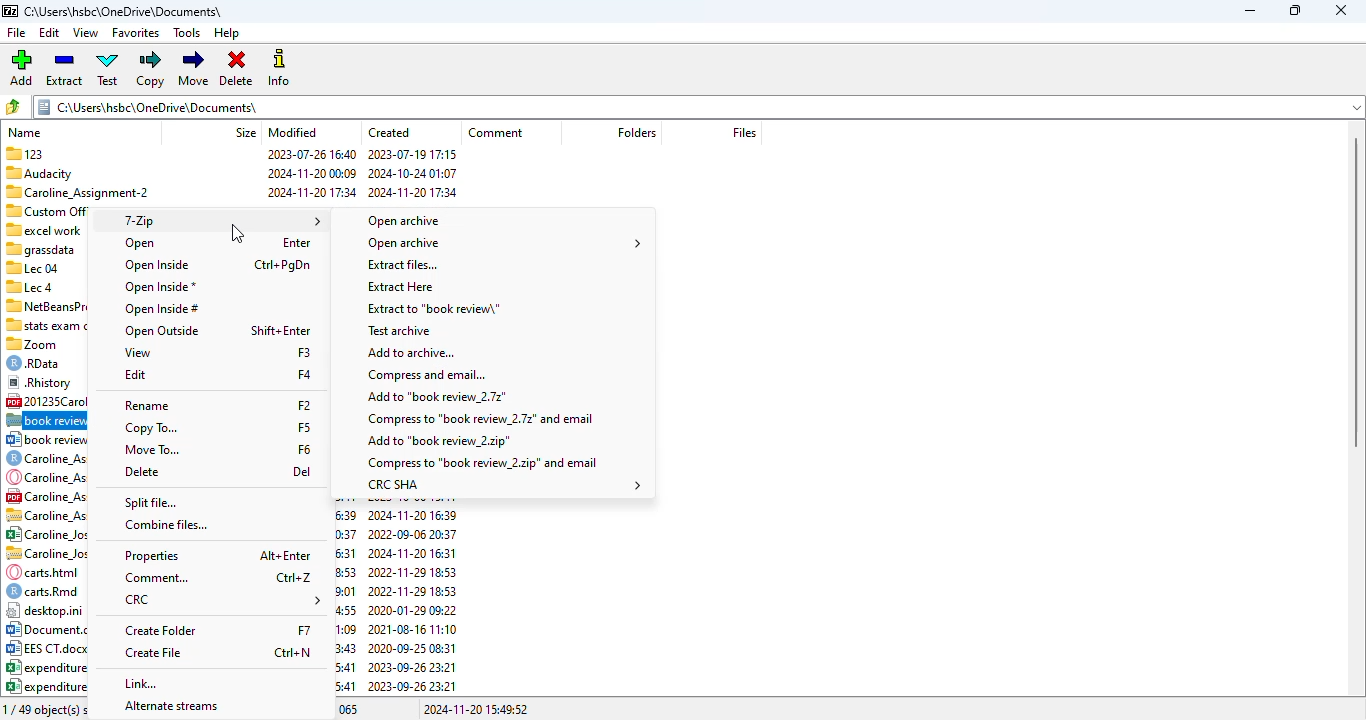  What do you see at coordinates (144, 684) in the screenshot?
I see `link` at bounding box center [144, 684].